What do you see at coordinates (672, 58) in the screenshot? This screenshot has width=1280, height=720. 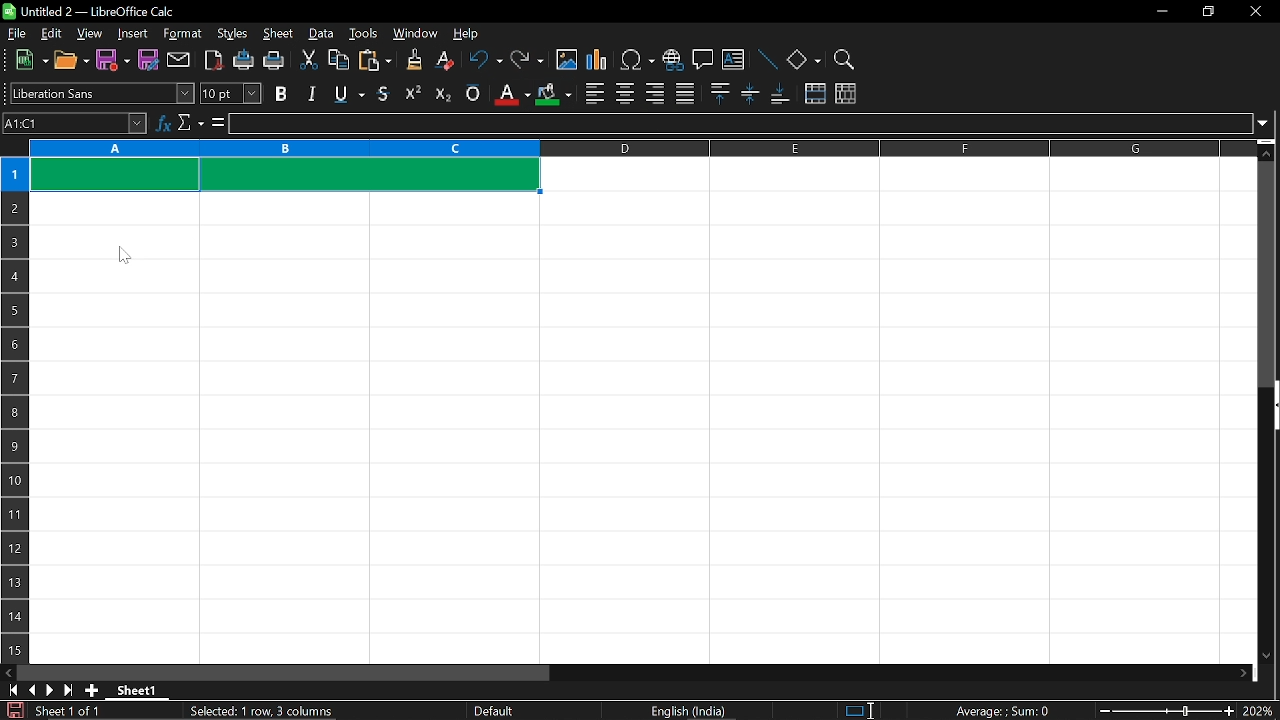 I see `insert hyperlink` at bounding box center [672, 58].